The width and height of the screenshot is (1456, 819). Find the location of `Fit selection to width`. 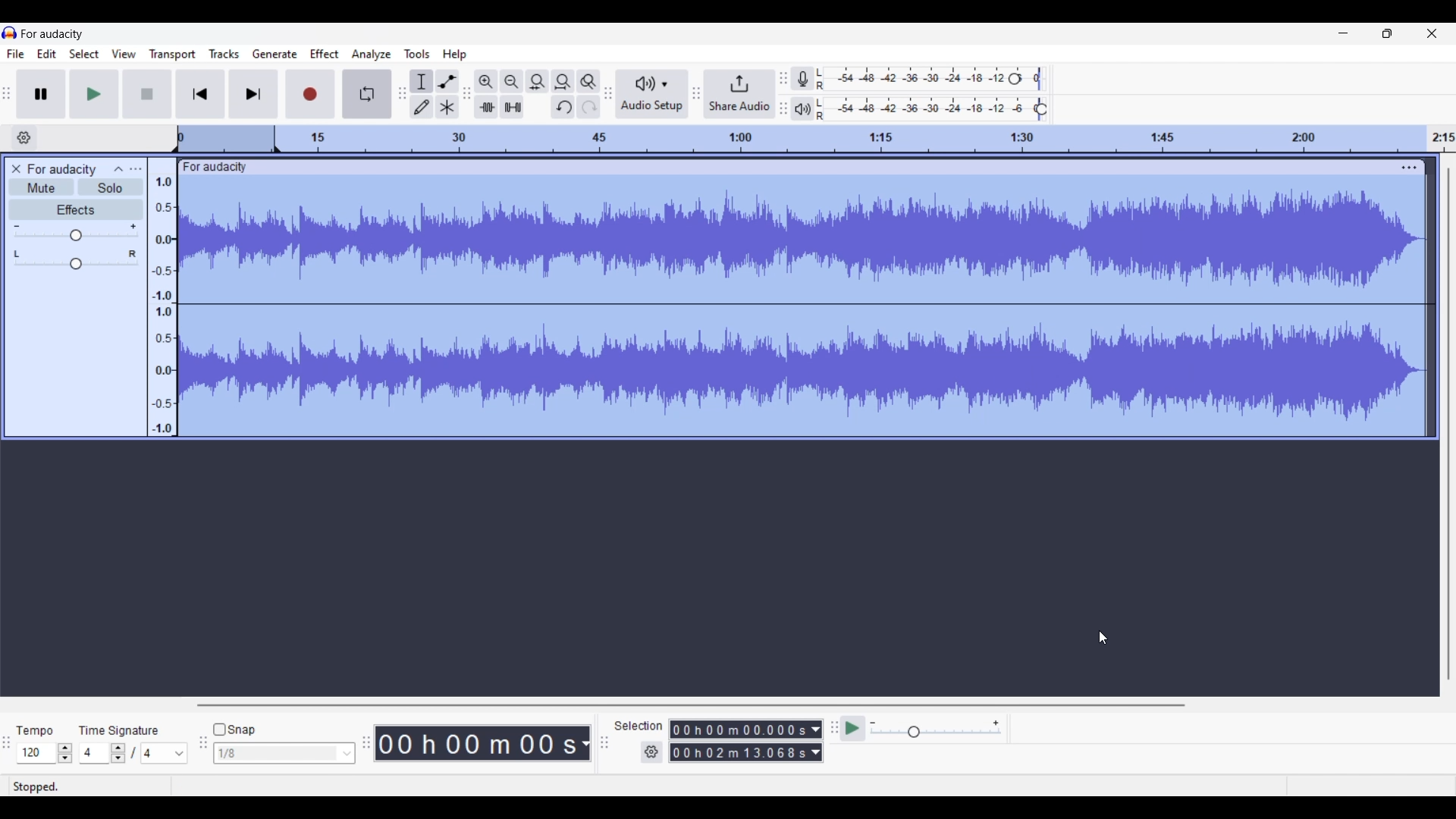

Fit selection to width is located at coordinates (537, 81).